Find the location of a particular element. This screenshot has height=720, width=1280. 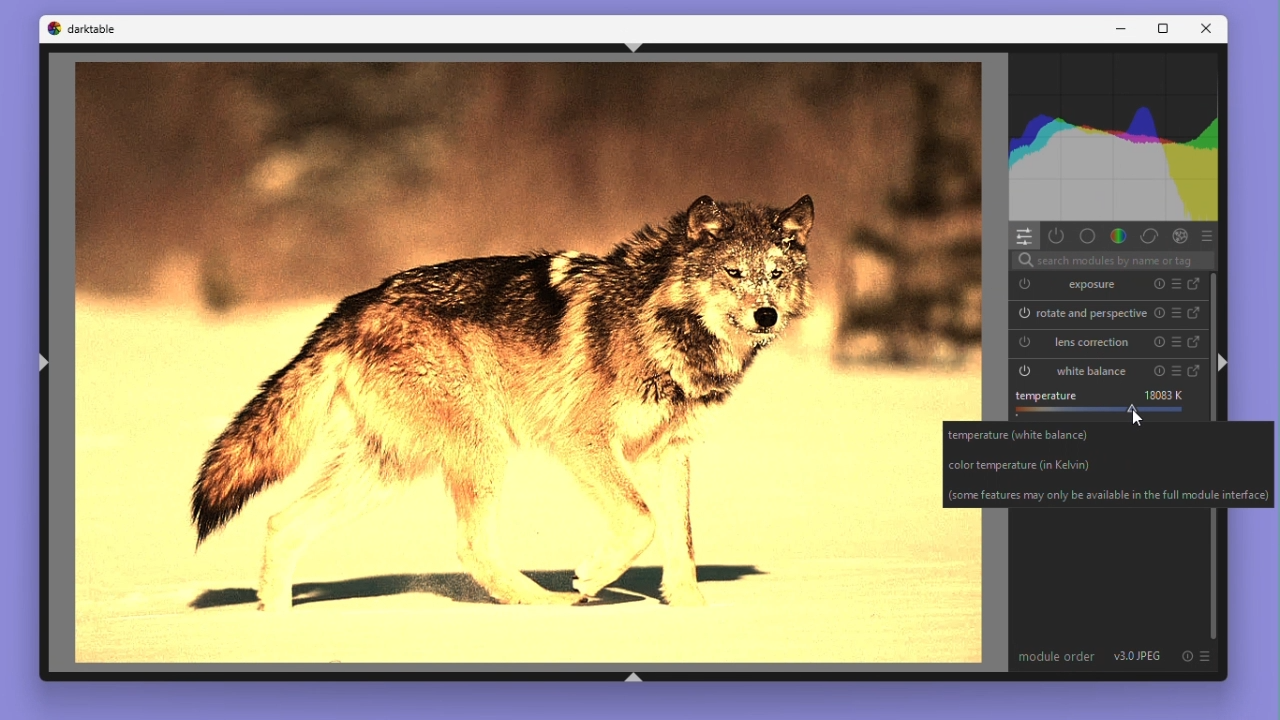

Preset is located at coordinates (1207, 657).